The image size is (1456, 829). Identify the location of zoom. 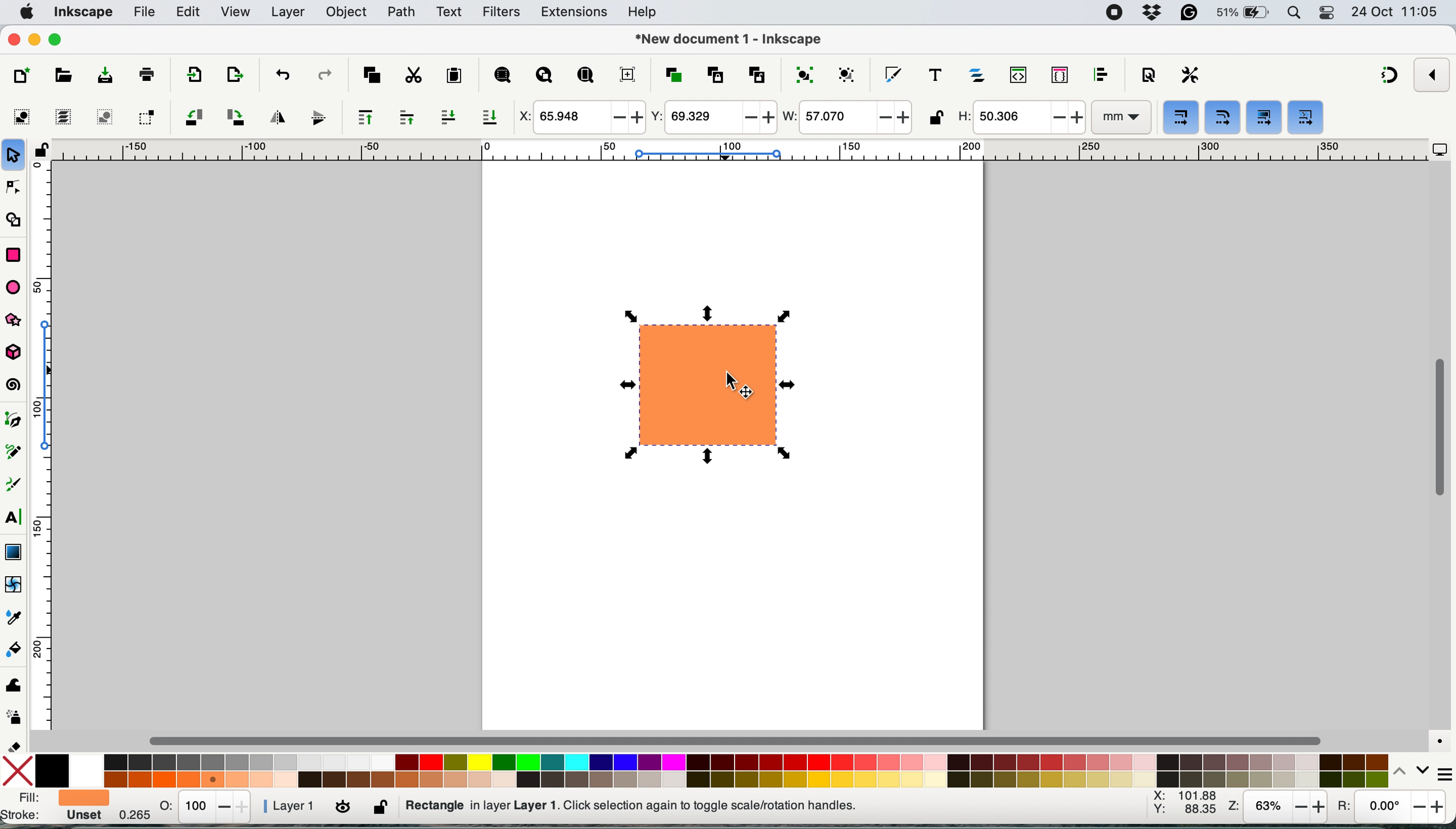
(1277, 808).